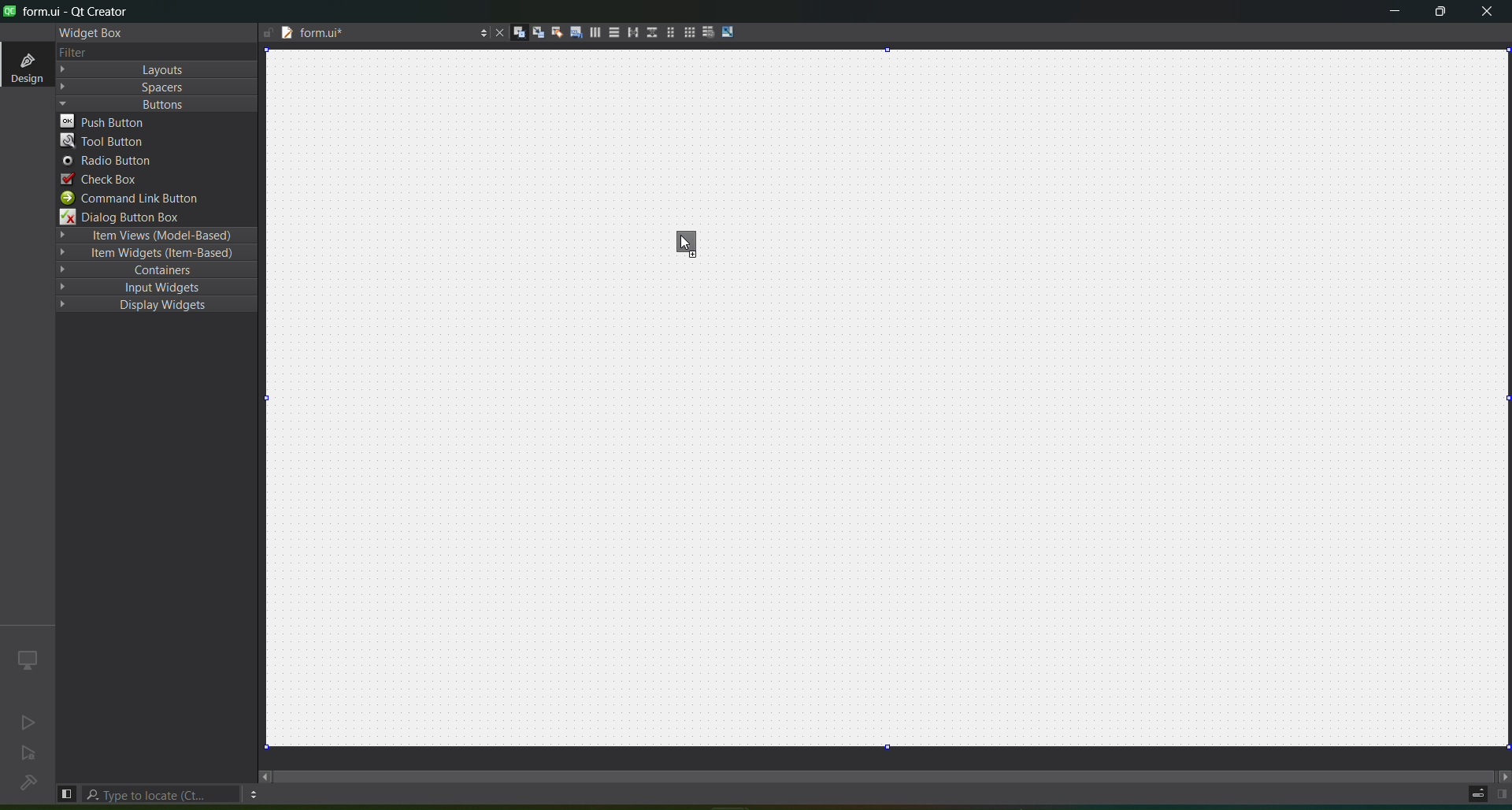 This screenshot has width=1512, height=810. Describe the element at coordinates (31, 720) in the screenshot. I see `no active project` at that location.